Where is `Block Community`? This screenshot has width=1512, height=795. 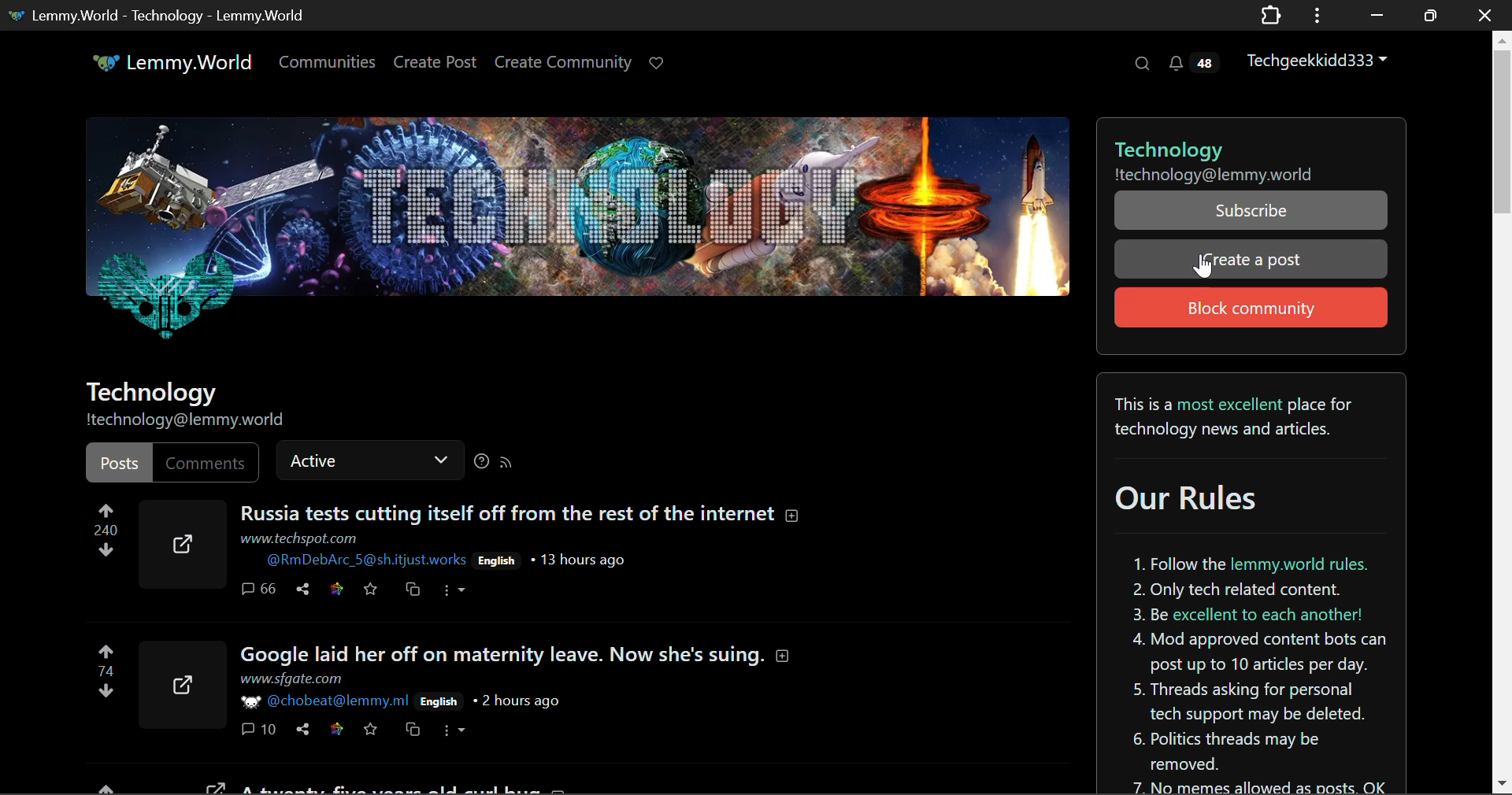 Block Community is located at coordinates (1249, 307).